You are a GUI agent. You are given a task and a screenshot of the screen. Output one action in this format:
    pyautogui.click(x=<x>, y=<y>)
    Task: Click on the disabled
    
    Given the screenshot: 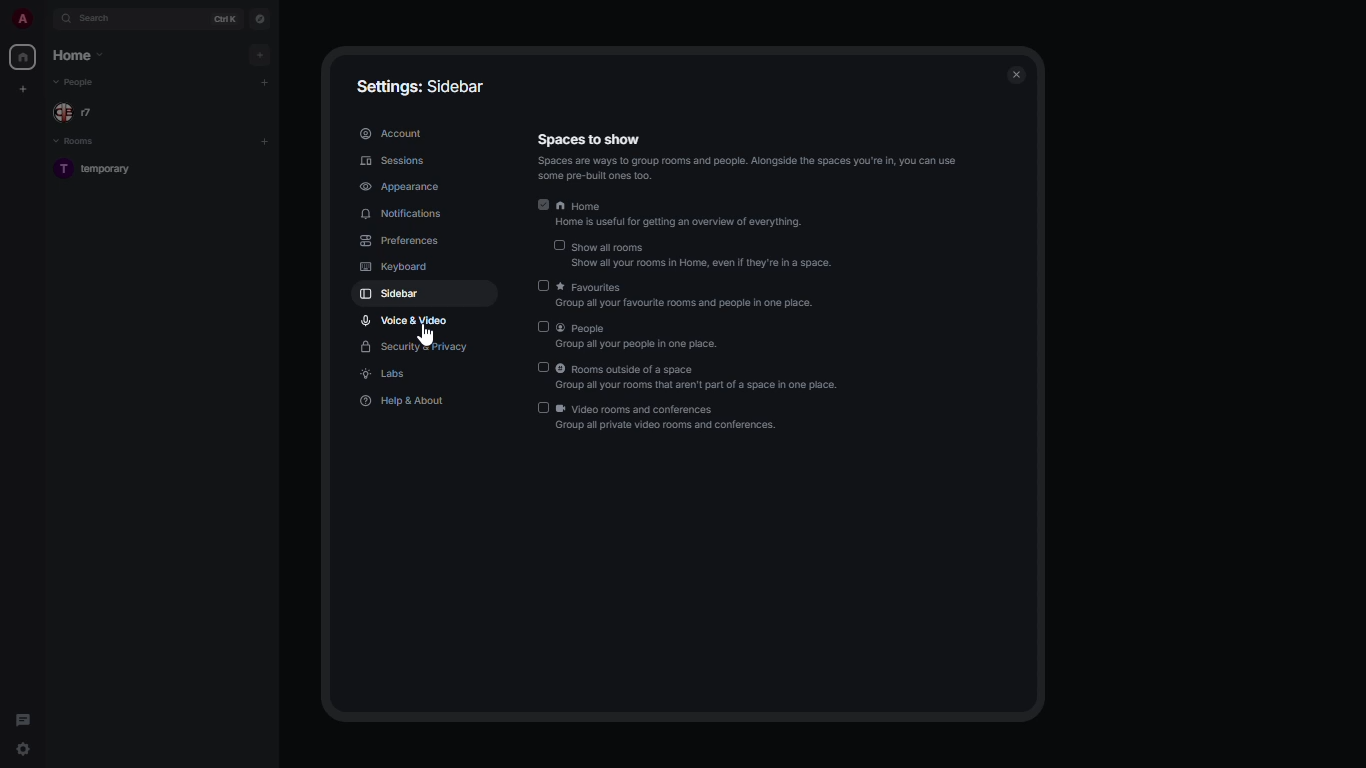 What is the action you would take?
    pyautogui.click(x=556, y=246)
    